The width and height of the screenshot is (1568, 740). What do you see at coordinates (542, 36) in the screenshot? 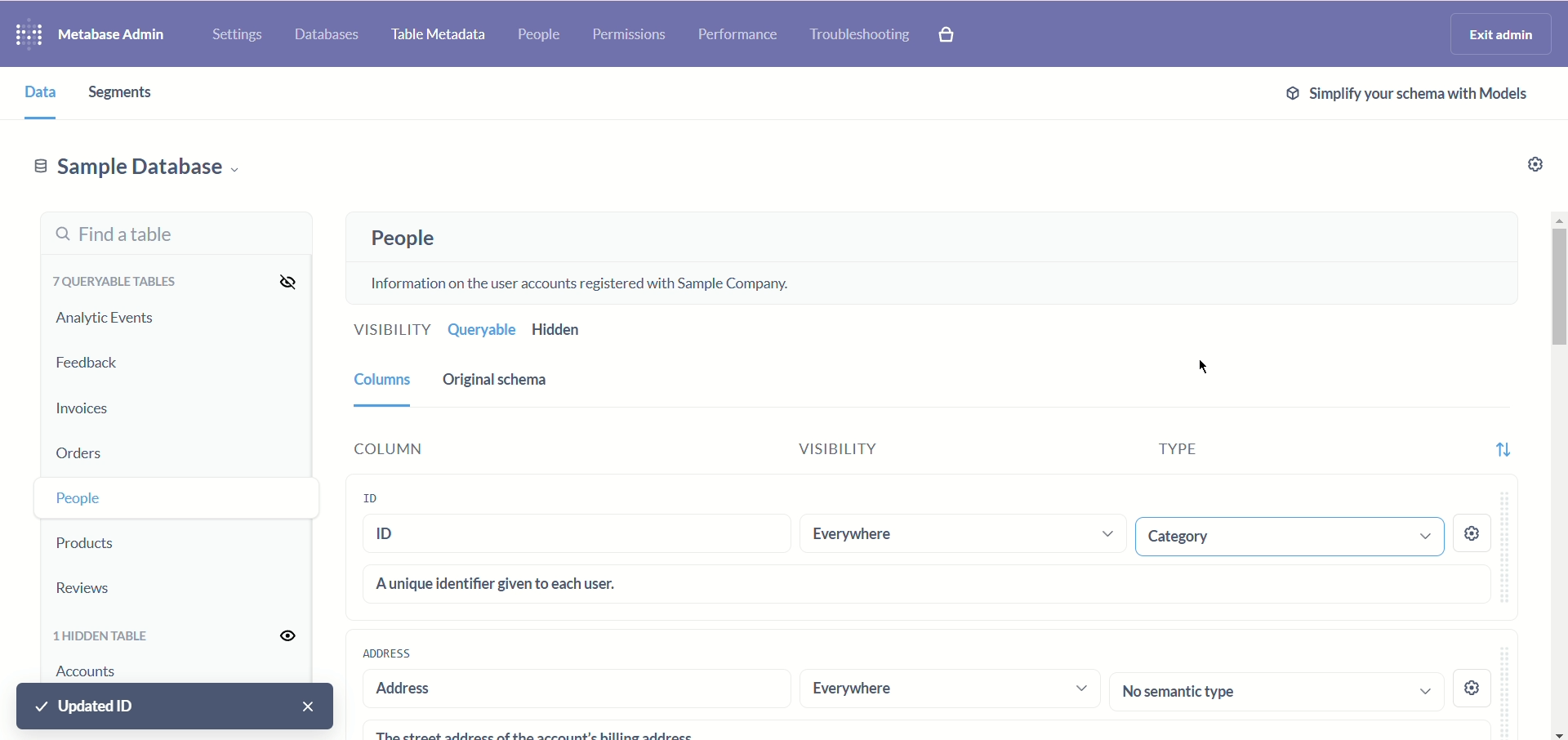
I see `People` at bounding box center [542, 36].